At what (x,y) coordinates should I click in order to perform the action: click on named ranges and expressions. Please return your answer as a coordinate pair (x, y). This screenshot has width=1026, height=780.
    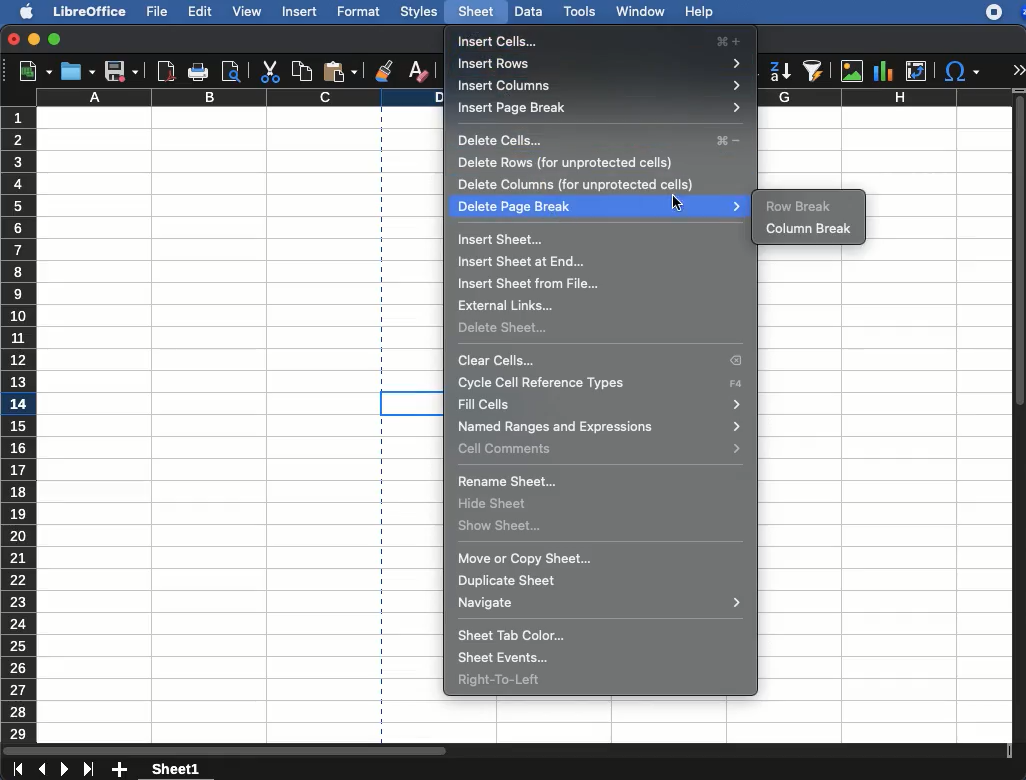
    Looking at the image, I should click on (600, 427).